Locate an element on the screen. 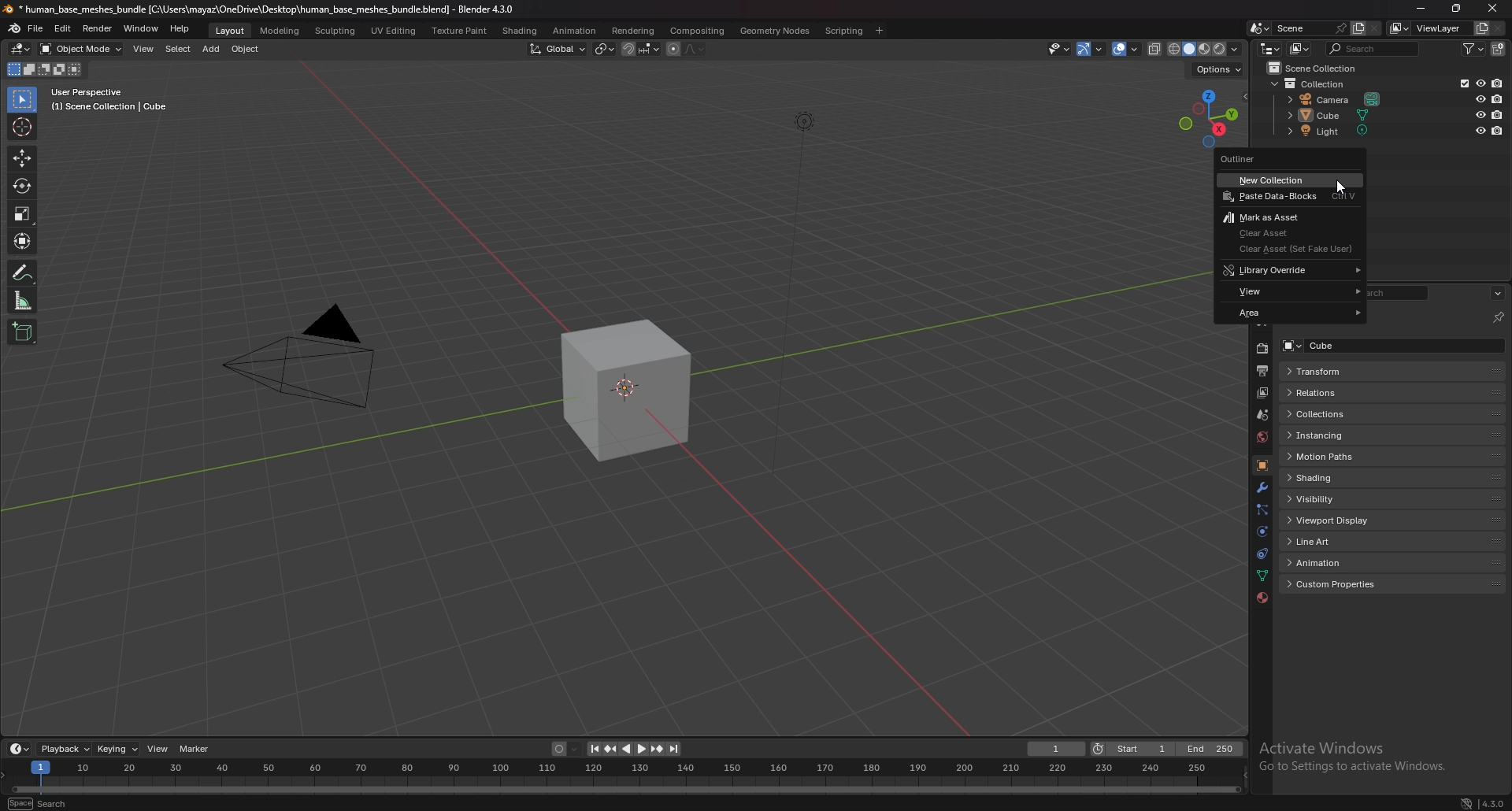  pin scene is located at coordinates (1340, 27).